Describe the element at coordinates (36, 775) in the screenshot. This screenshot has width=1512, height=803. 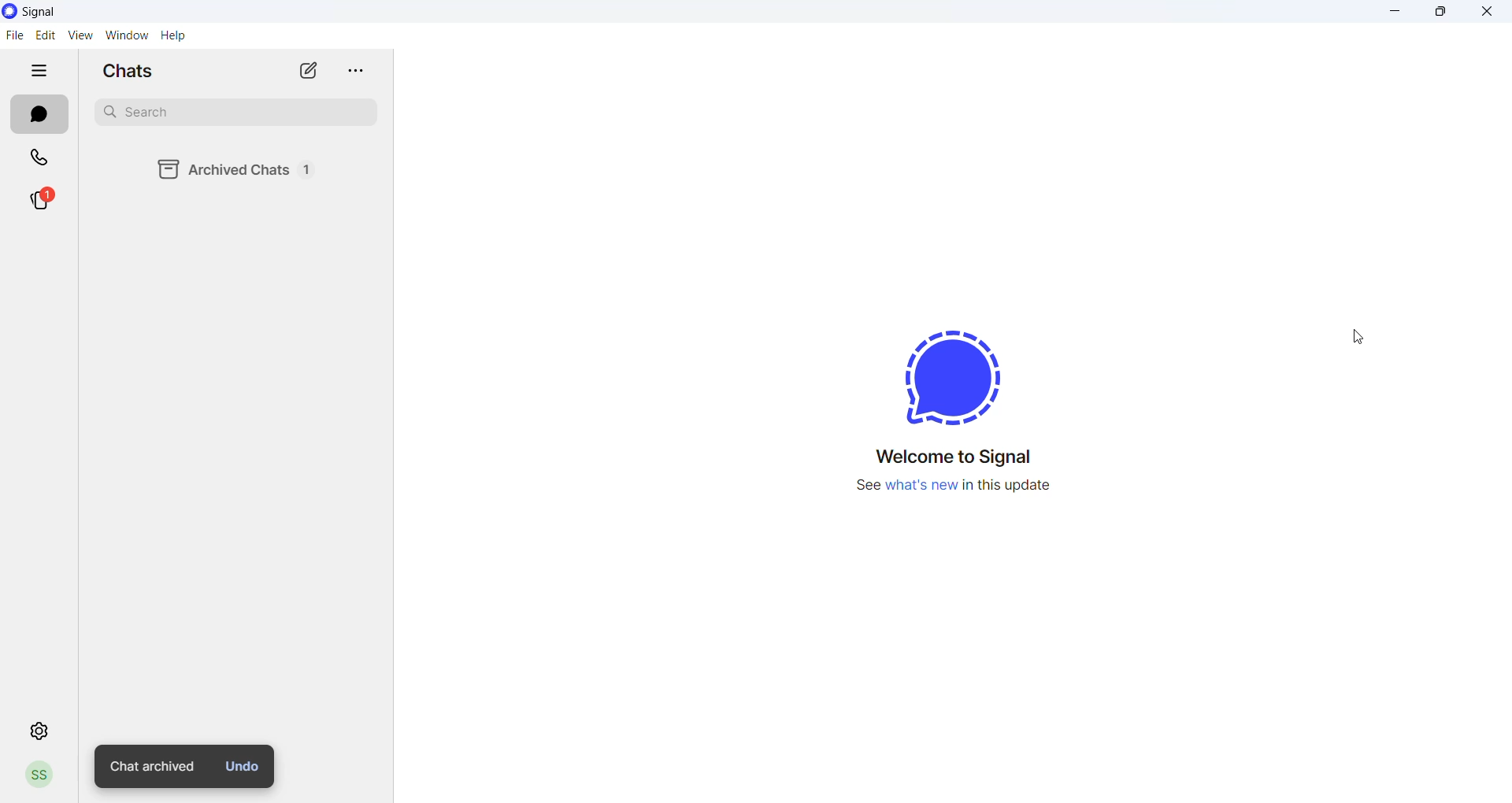
I see `profile picture` at that location.